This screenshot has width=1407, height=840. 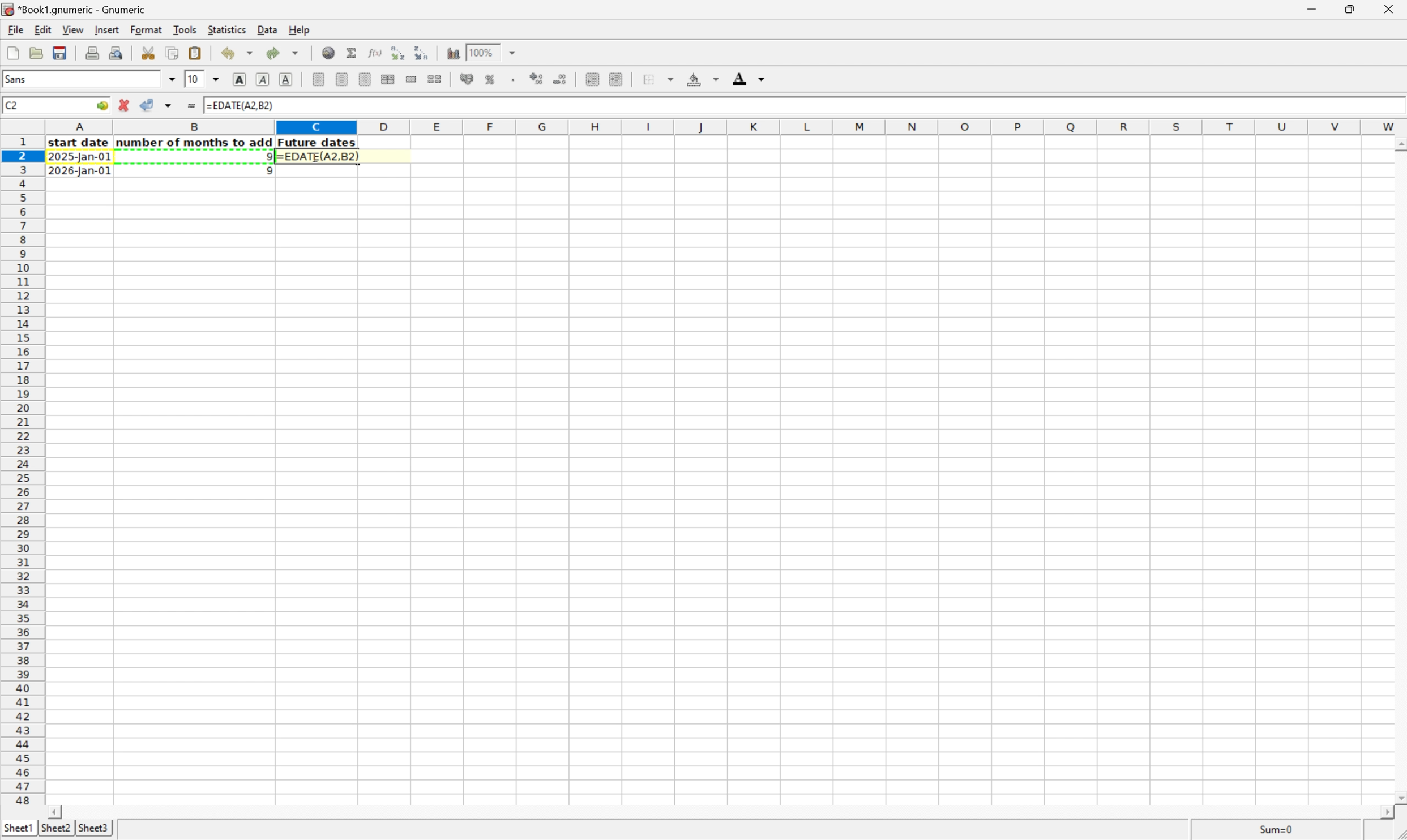 I want to click on Center Horizontally, so click(x=342, y=79).